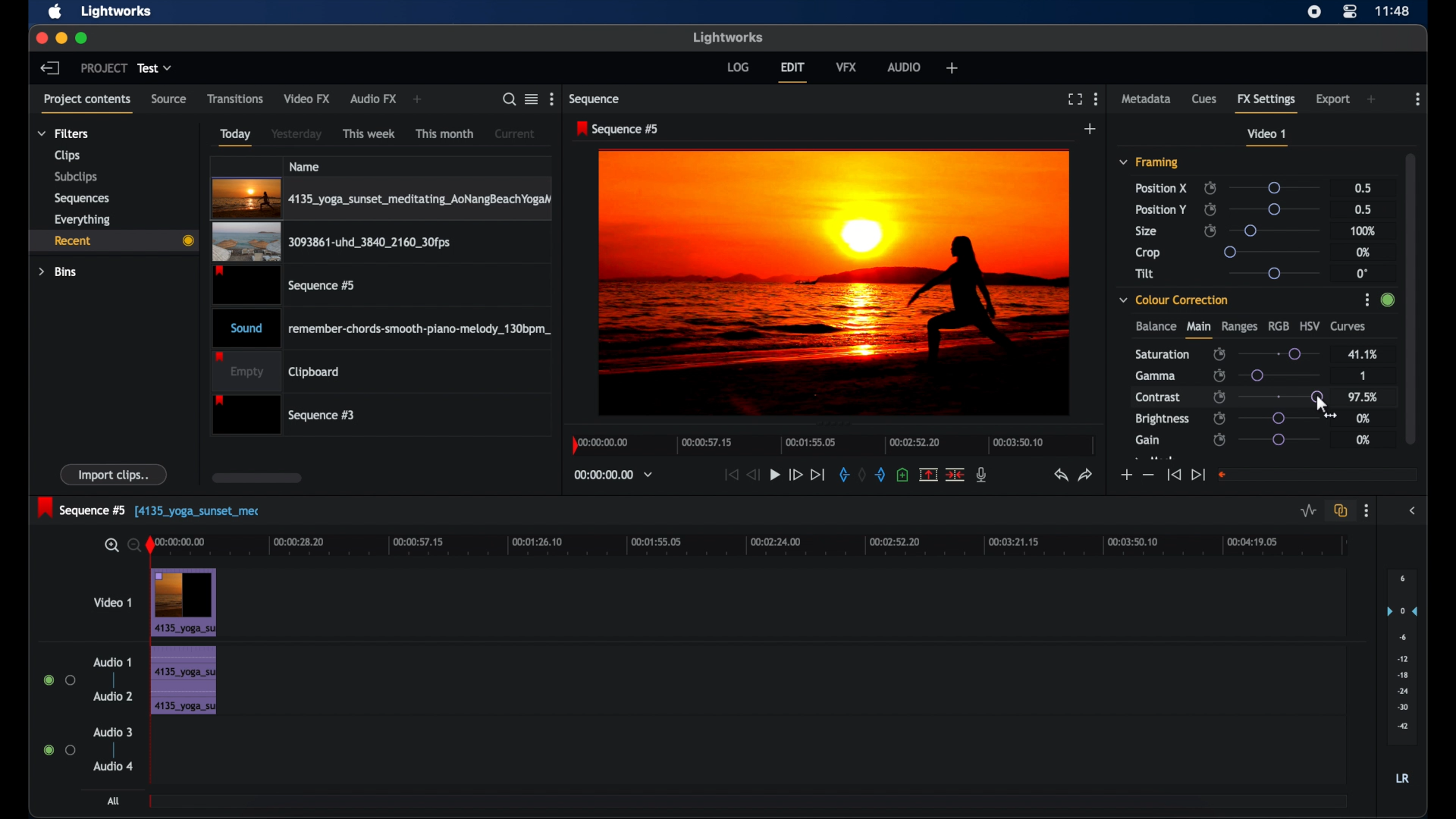 The height and width of the screenshot is (819, 1456). I want to click on play , so click(775, 475).